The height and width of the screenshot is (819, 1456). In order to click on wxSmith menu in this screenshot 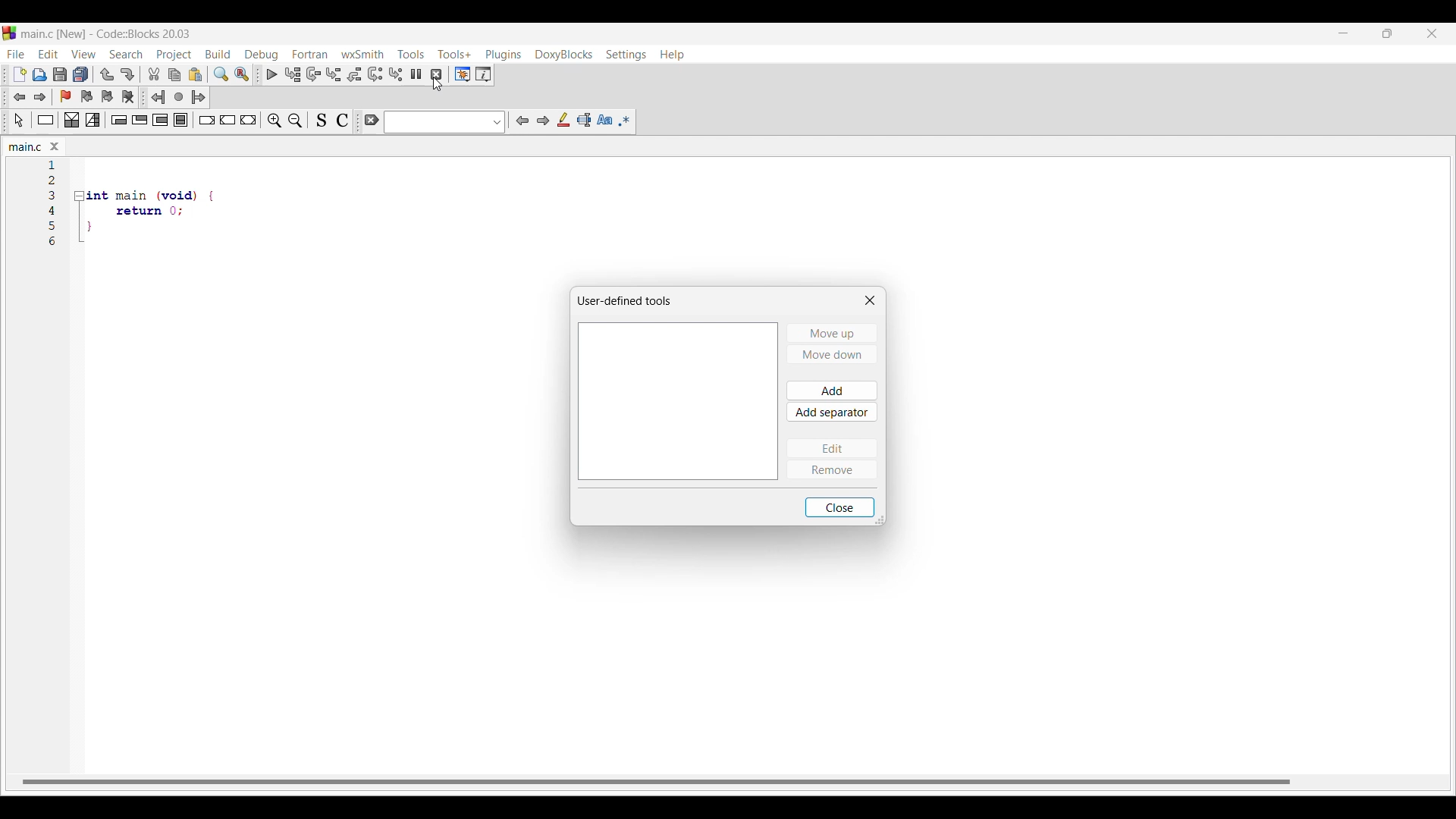, I will do `click(362, 54)`.